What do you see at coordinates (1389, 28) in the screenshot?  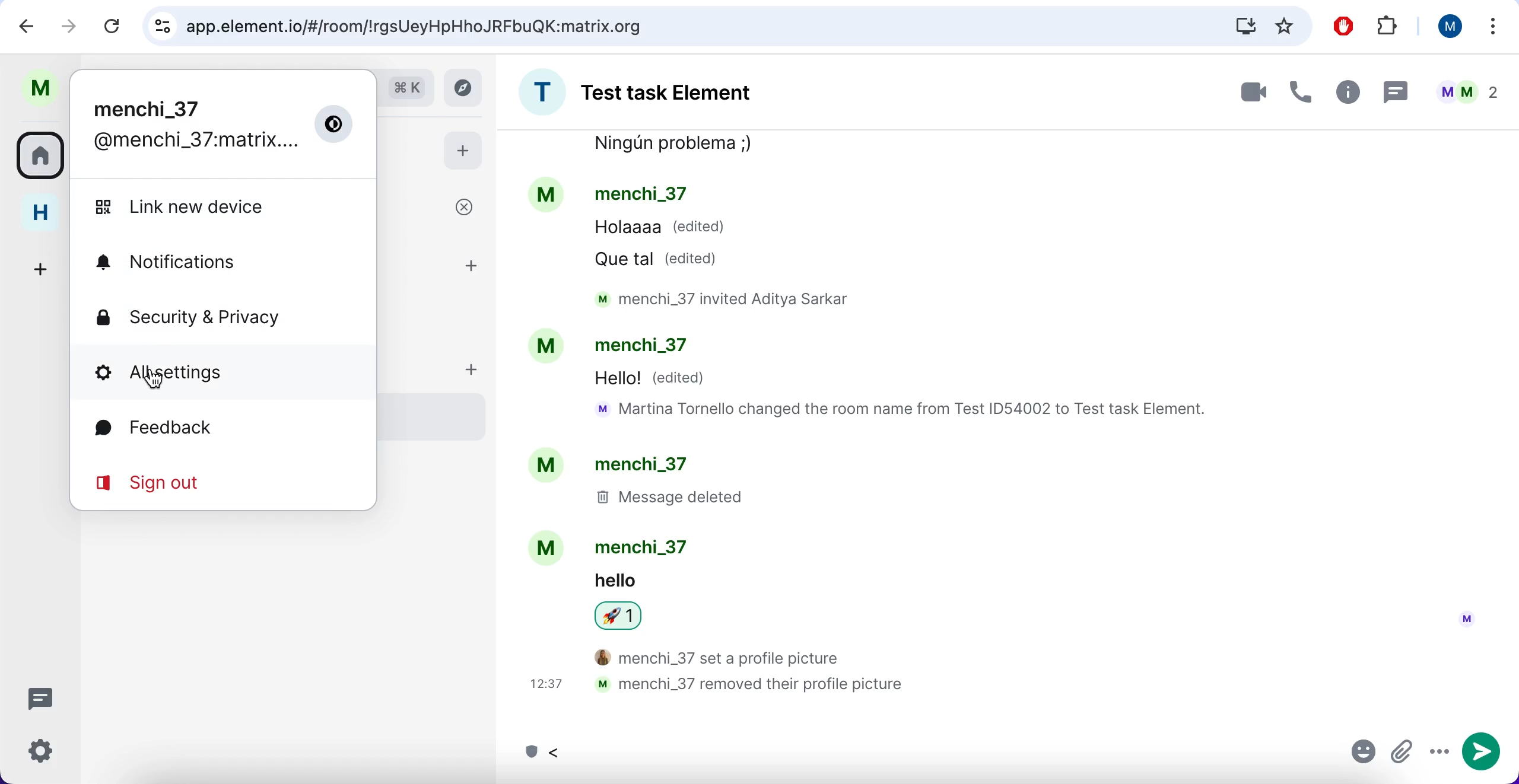 I see `extensions` at bounding box center [1389, 28].